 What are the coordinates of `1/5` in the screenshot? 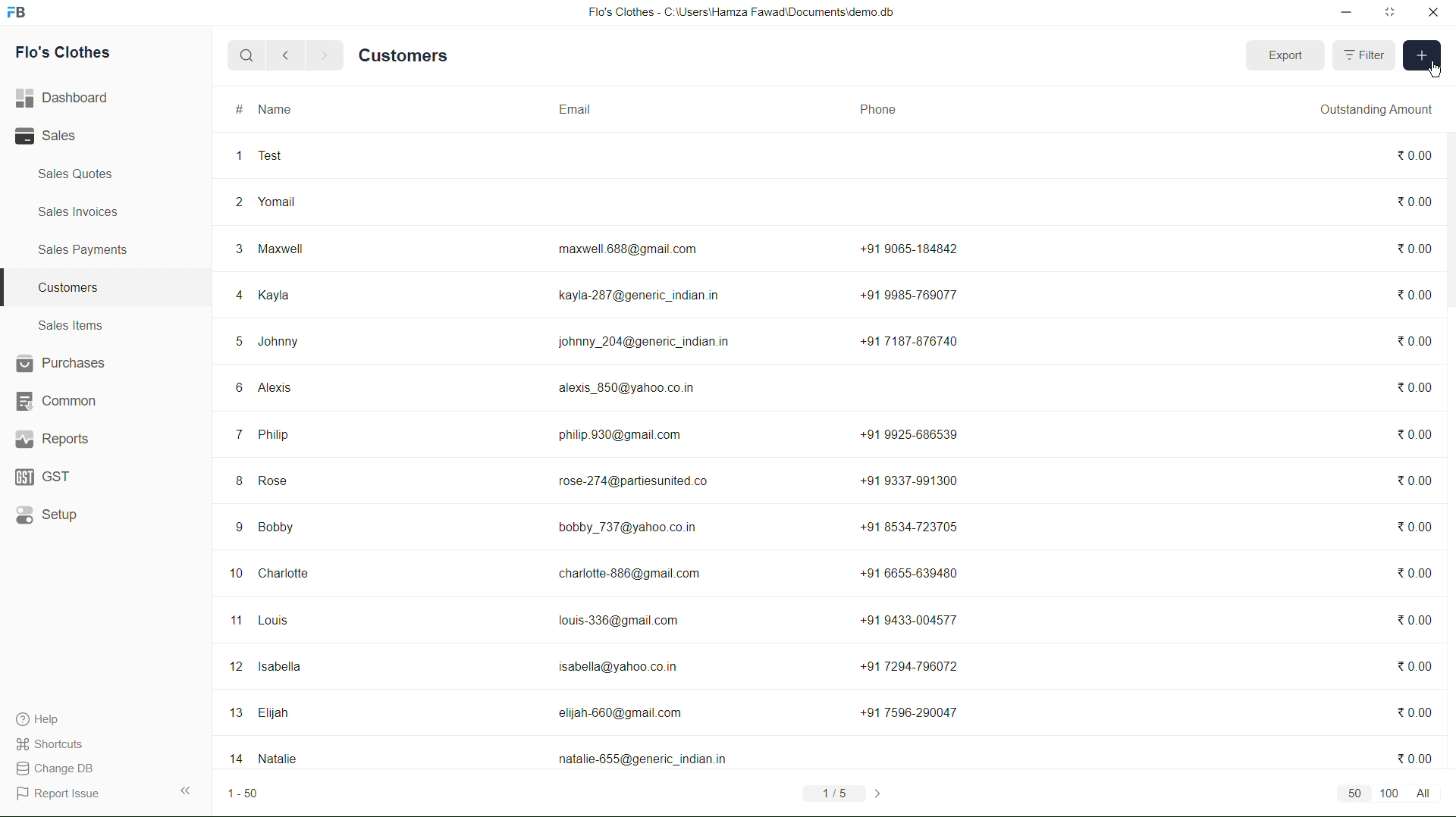 It's located at (842, 790).